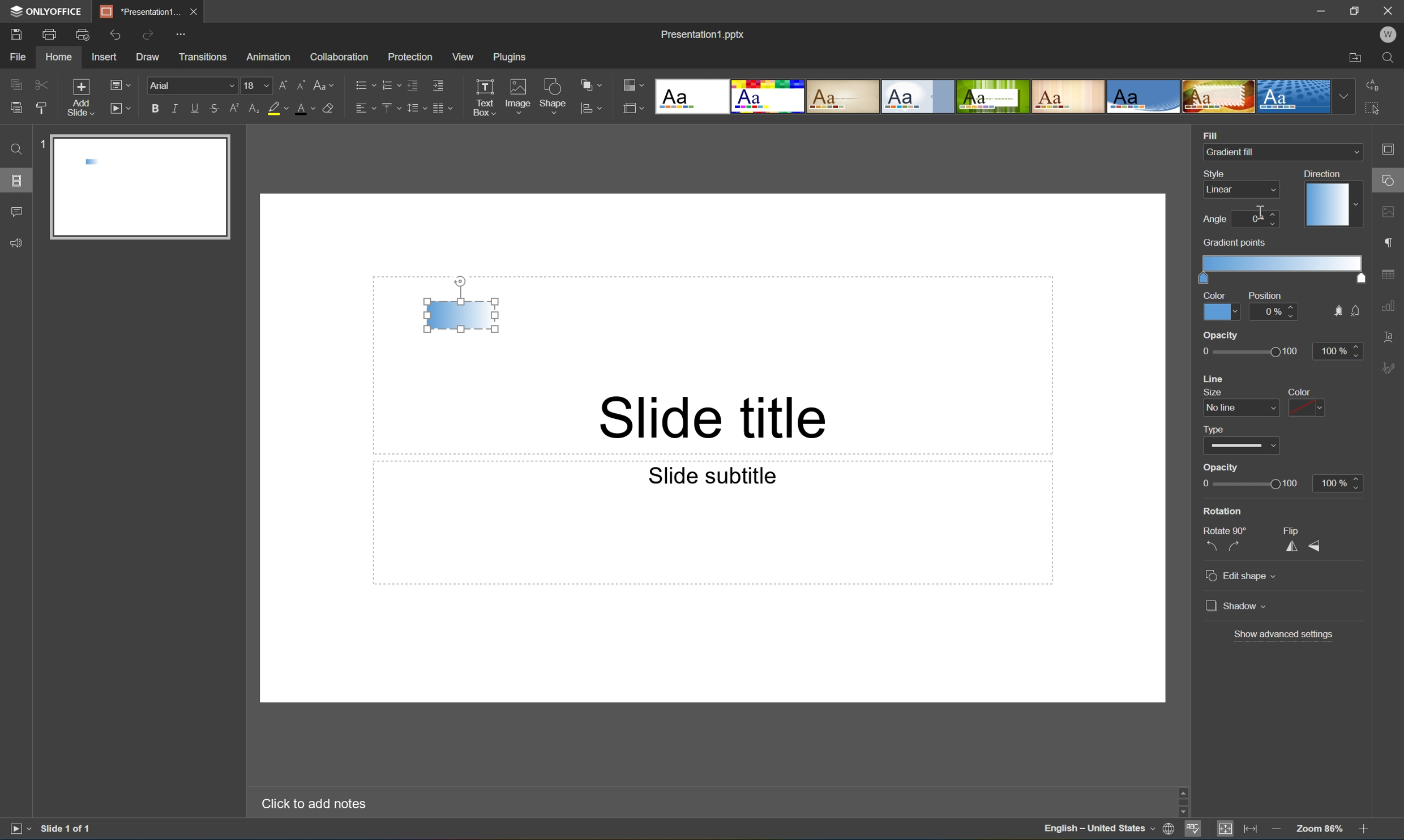 This screenshot has height=840, width=1404. What do you see at coordinates (149, 36) in the screenshot?
I see `Redo` at bounding box center [149, 36].